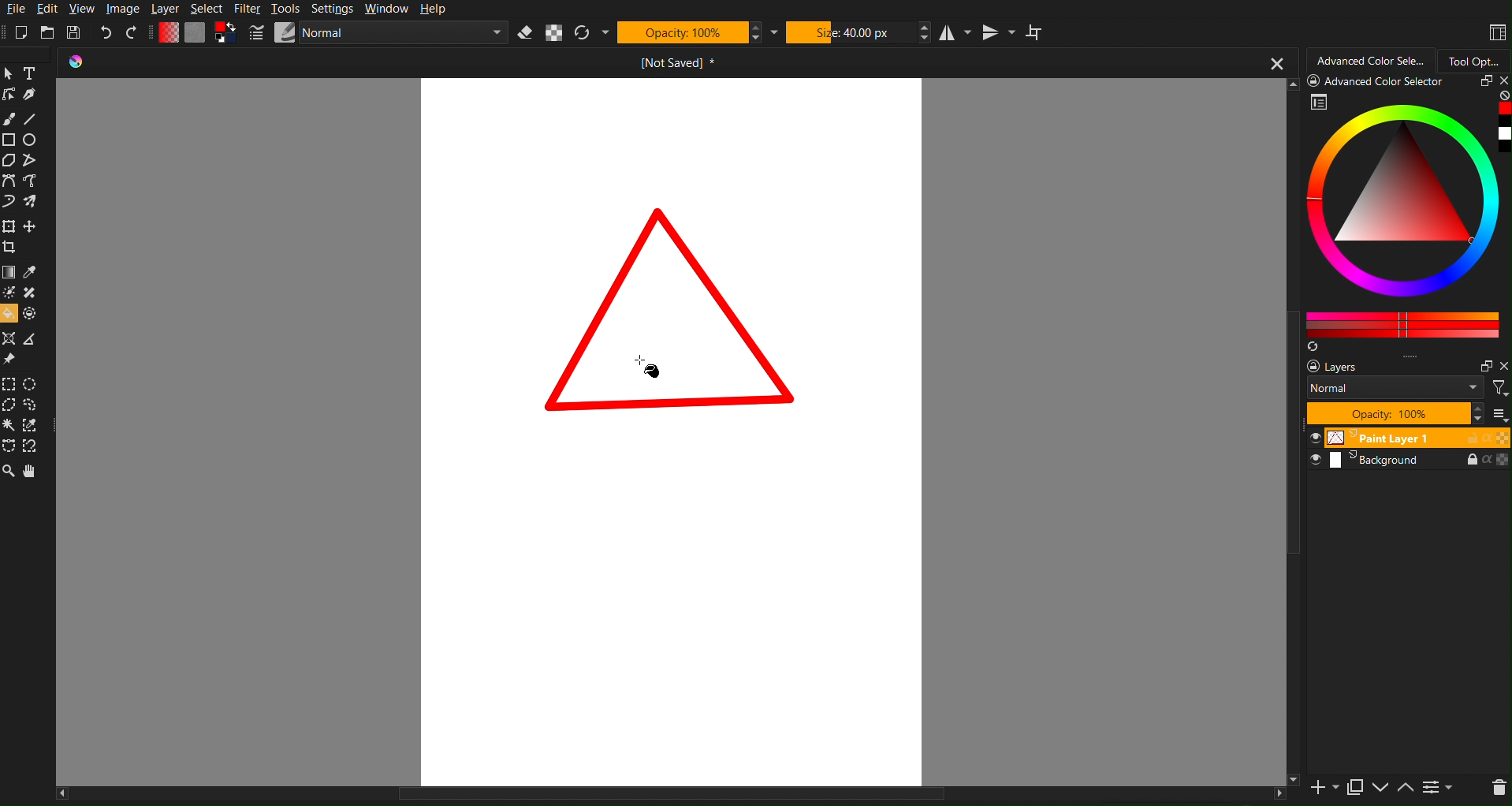 Image resolution: width=1512 pixels, height=806 pixels. I want to click on colorize mask tool, so click(11, 293).